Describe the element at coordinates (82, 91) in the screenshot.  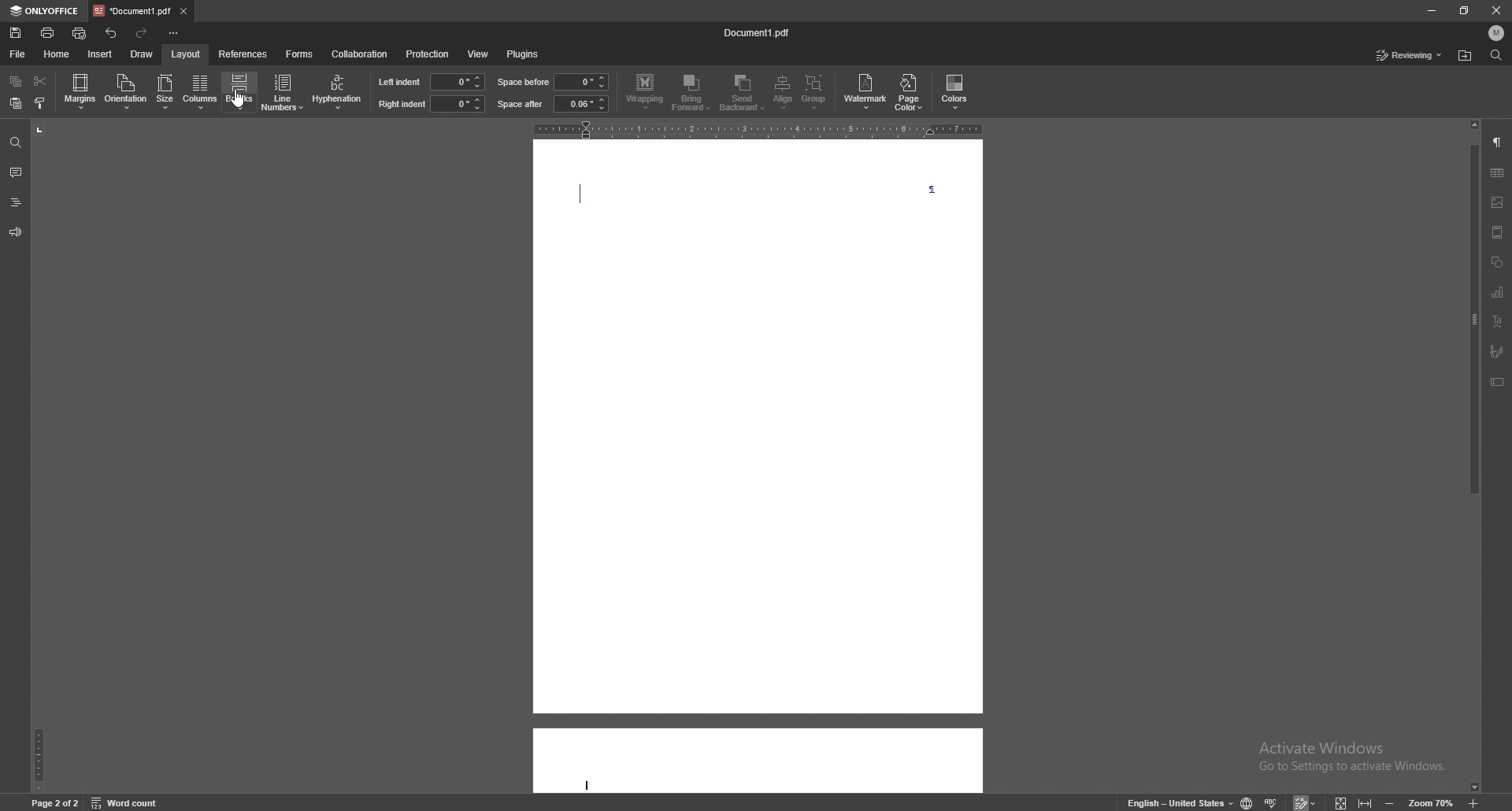
I see `margins` at that location.